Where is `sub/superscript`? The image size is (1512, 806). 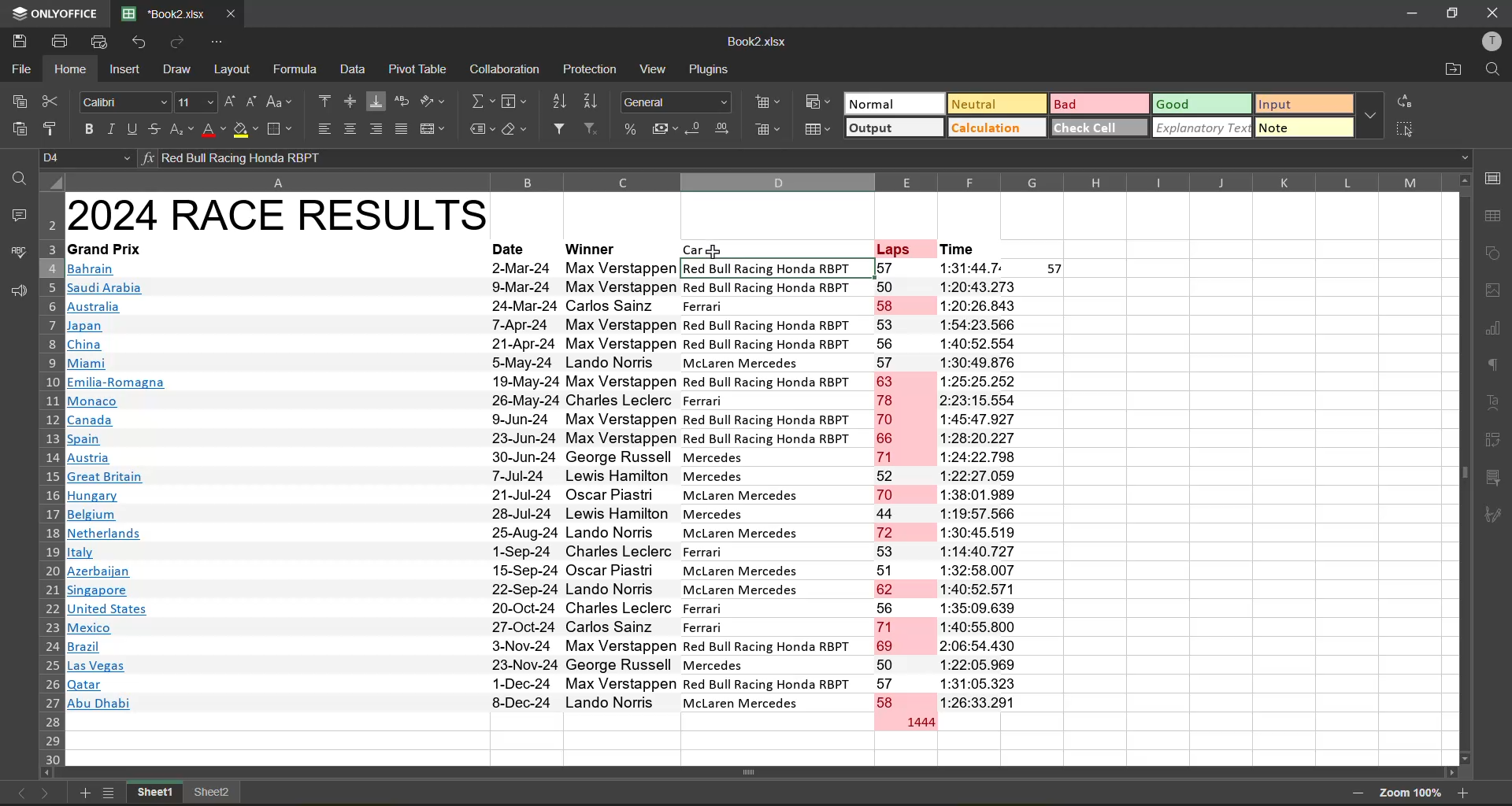
sub/superscript is located at coordinates (180, 130).